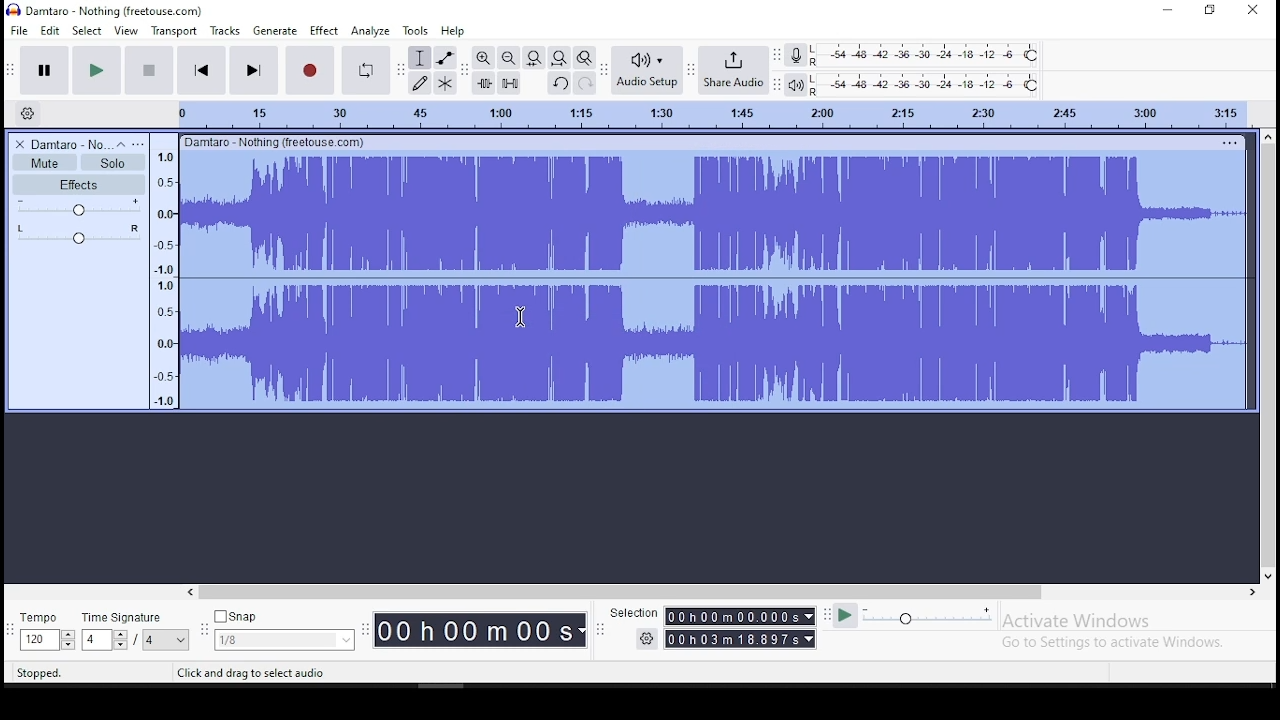 Image resolution: width=1280 pixels, height=720 pixels. Describe the element at coordinates (166, 640) in the screenshot. I see `menu` at that location.